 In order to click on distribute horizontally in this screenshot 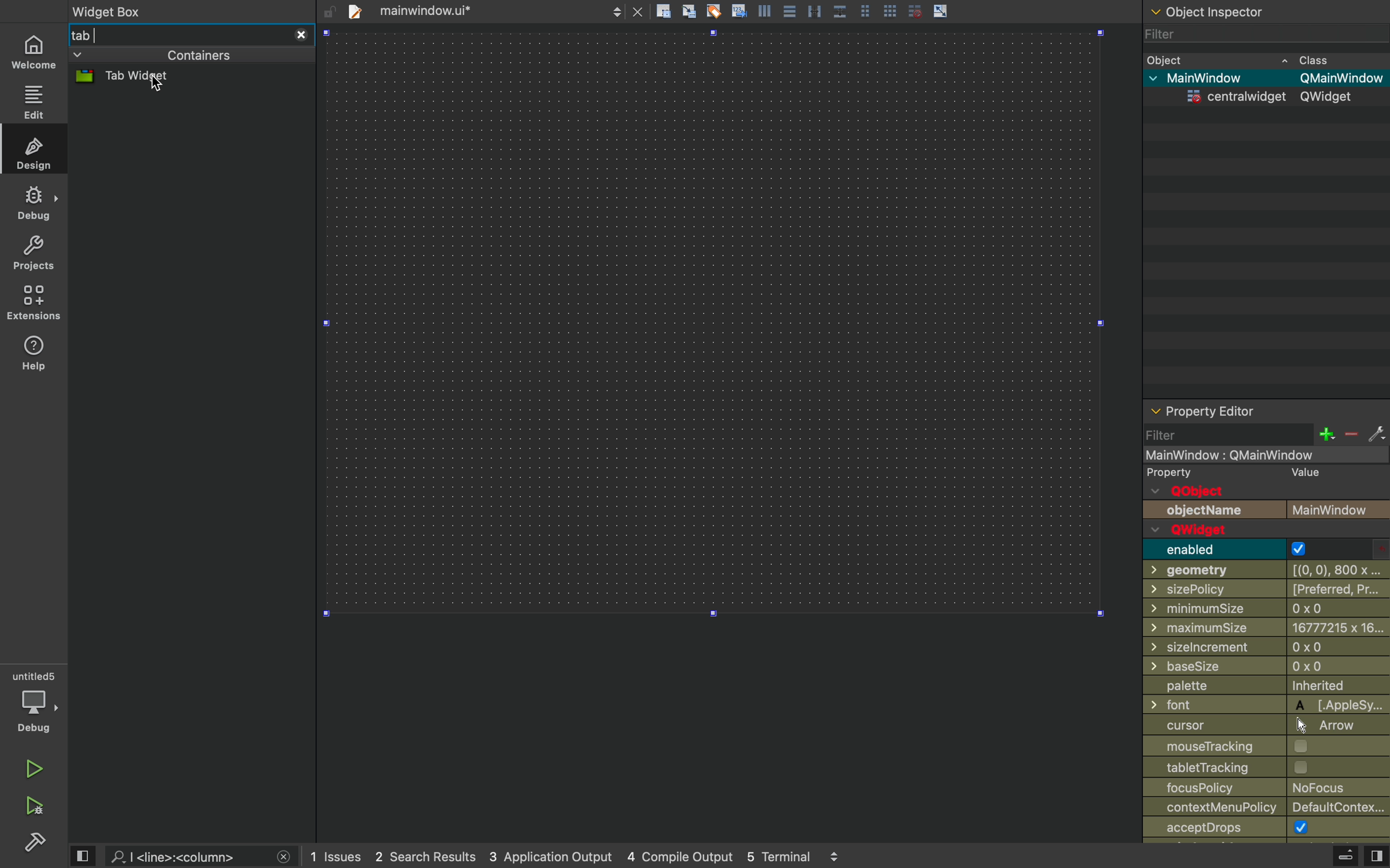, I will do `click(814, 10)`.